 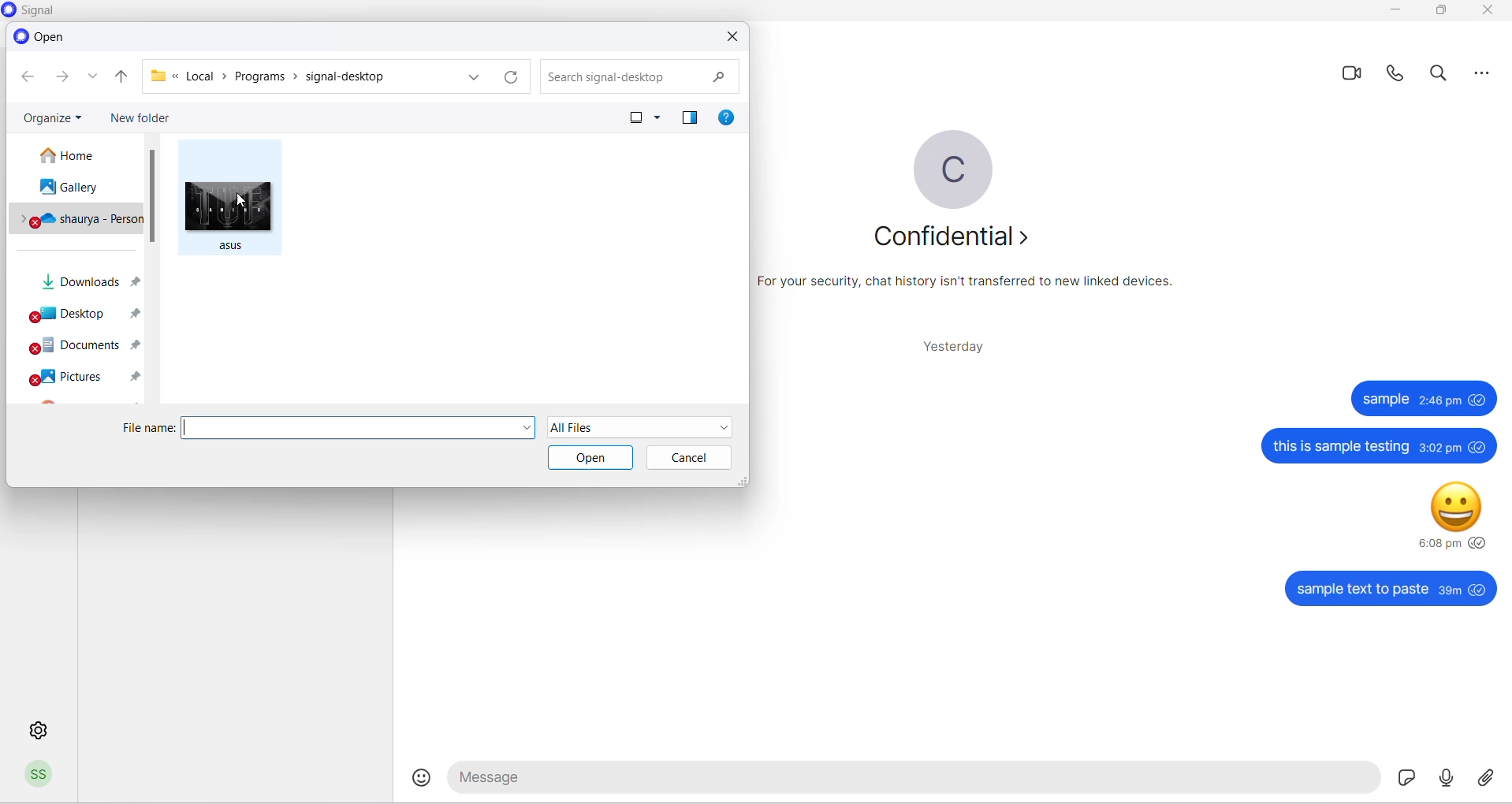 What do you see at coordinates (1480, 399) in the screenshot?
I see `seen` at bounding box center [1480, 399].